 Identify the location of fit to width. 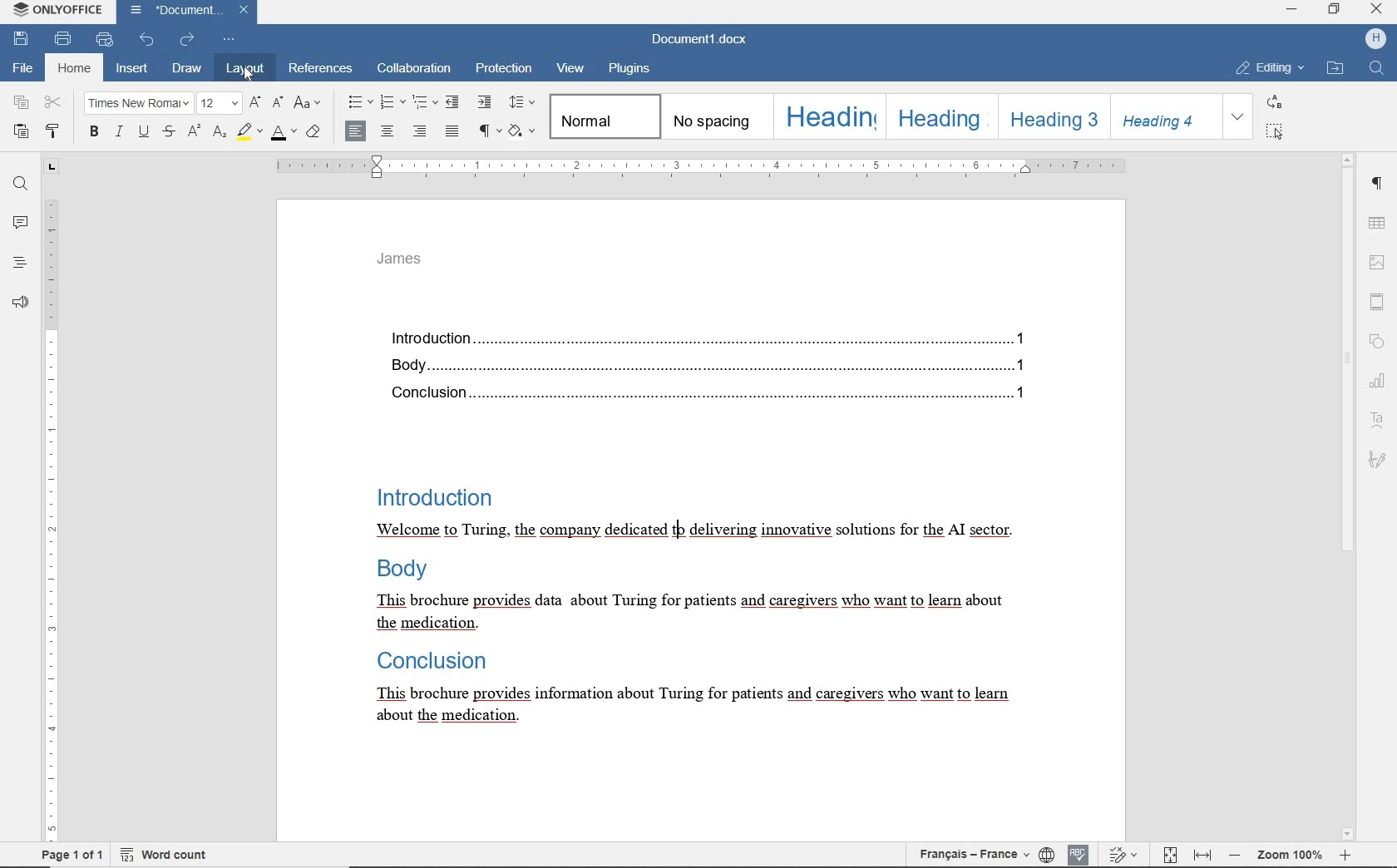
(1203, 855).